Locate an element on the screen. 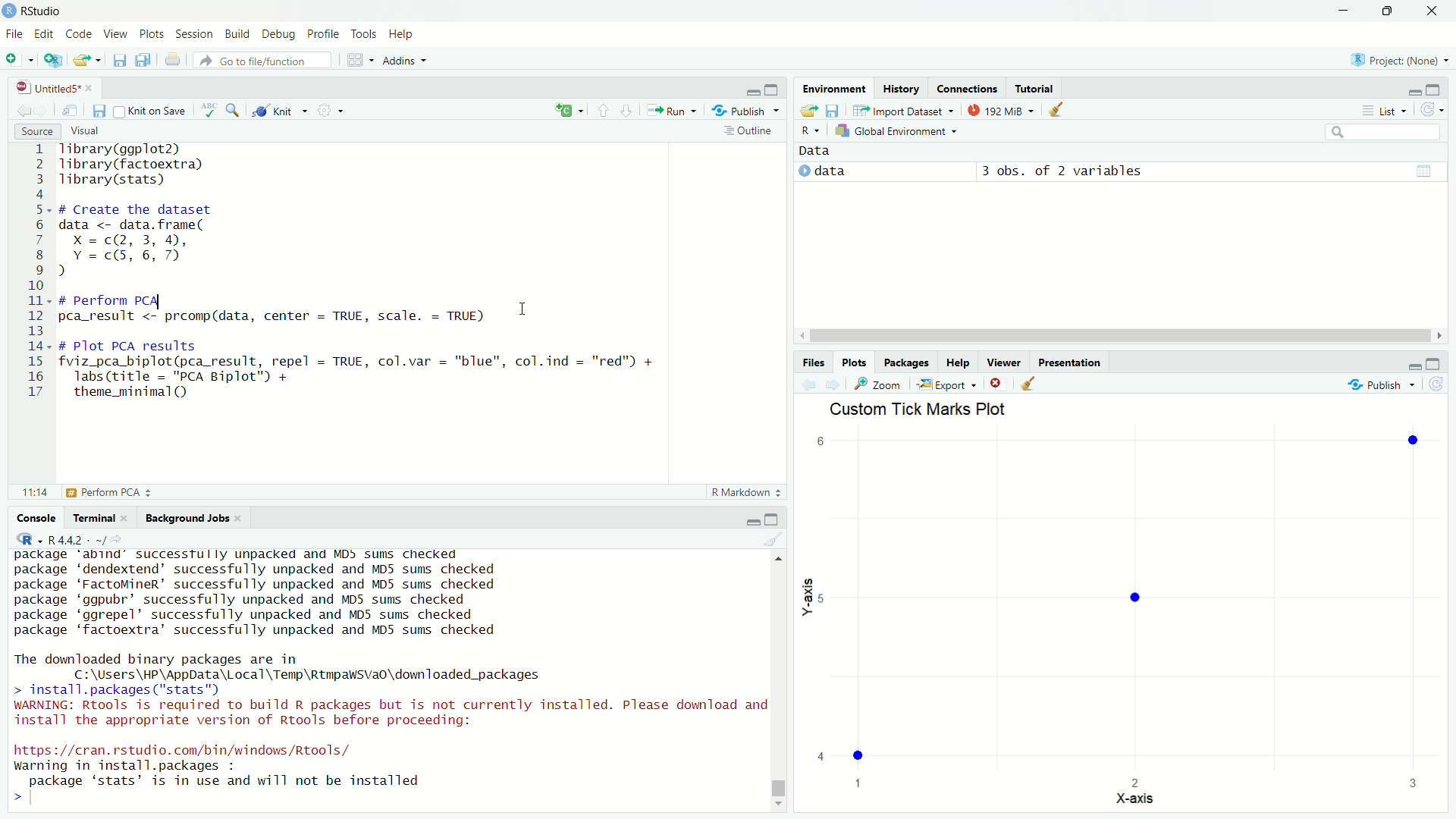 Image resolution: width=1456 pixels, height=819 pixels. go back to previous source is located at coordinates (21, 111).